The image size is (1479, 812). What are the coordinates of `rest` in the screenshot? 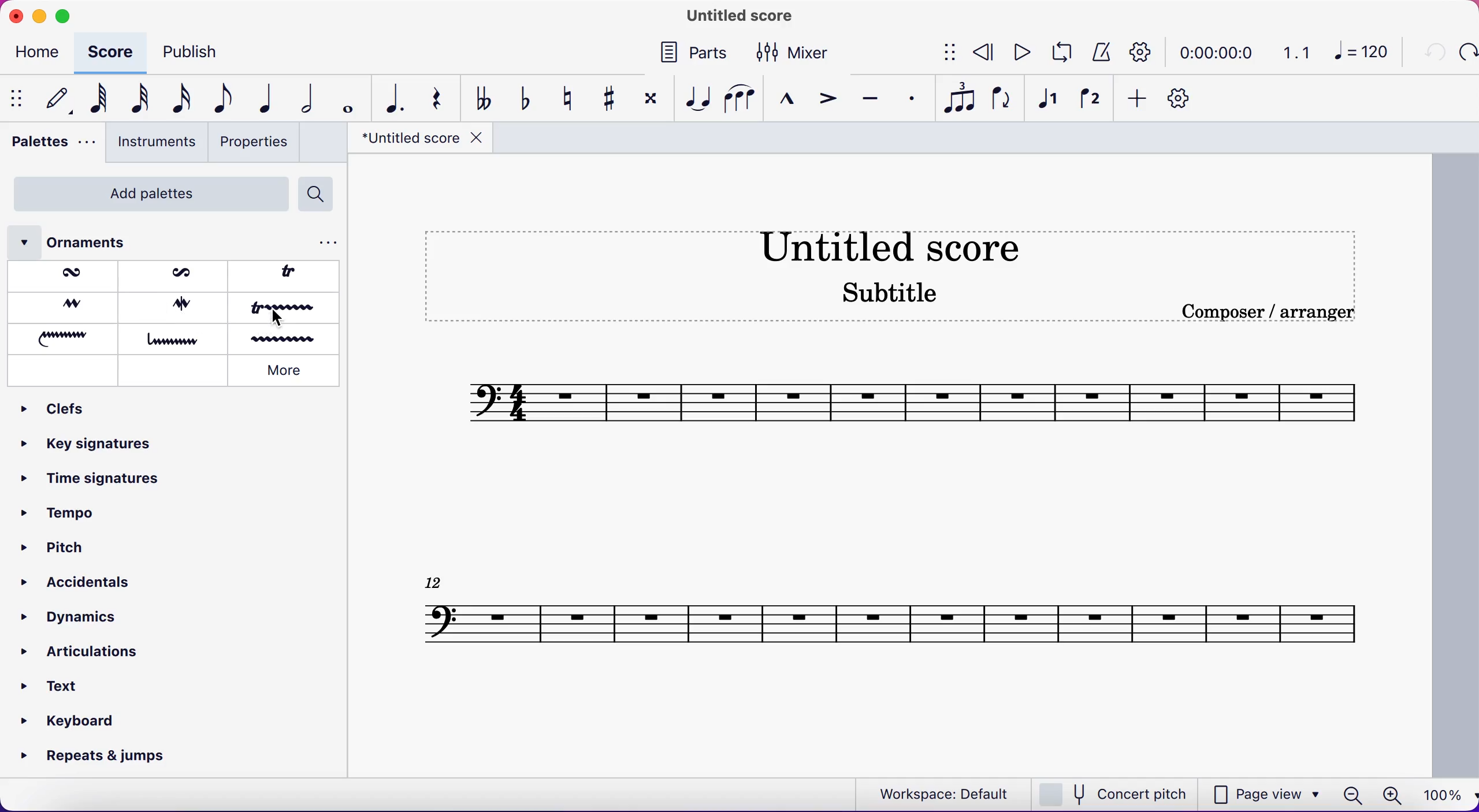 It's located at (436, 98).